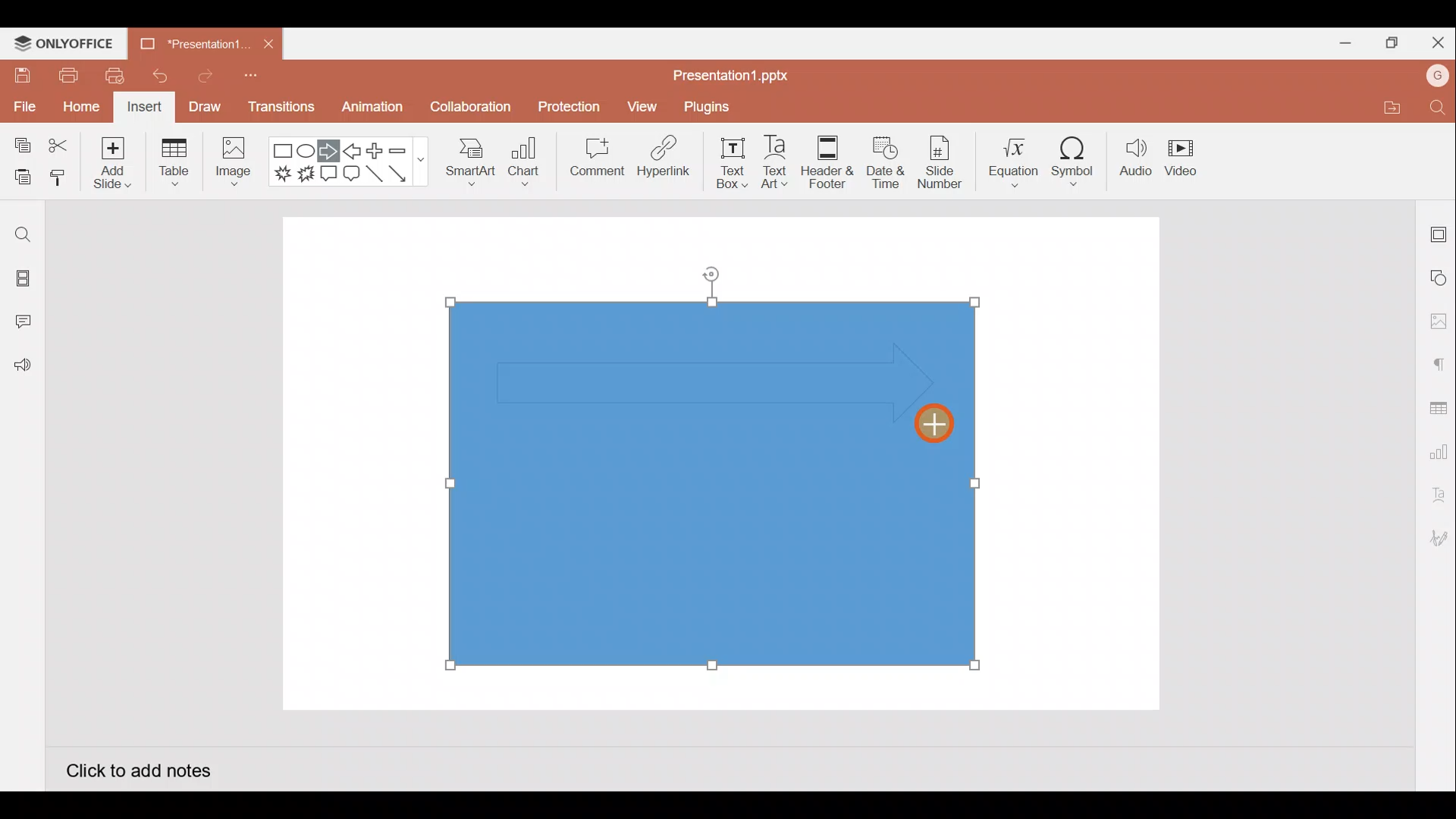 The height and width of the screenshot is (819, 1456). Describe the element at coordinates (716, 372) in the screenshot. I see `Inserted arrow shape on rectangle` at that location.